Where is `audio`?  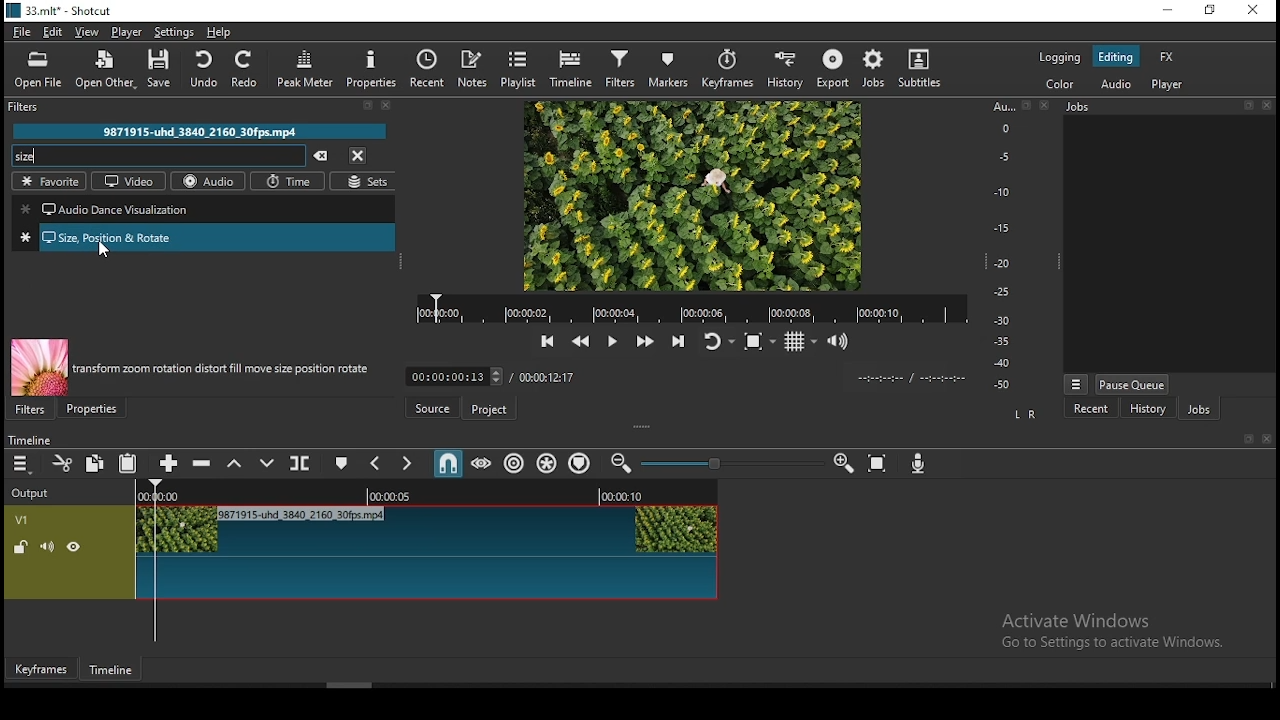
audio is located at coordinates (1118, 84).